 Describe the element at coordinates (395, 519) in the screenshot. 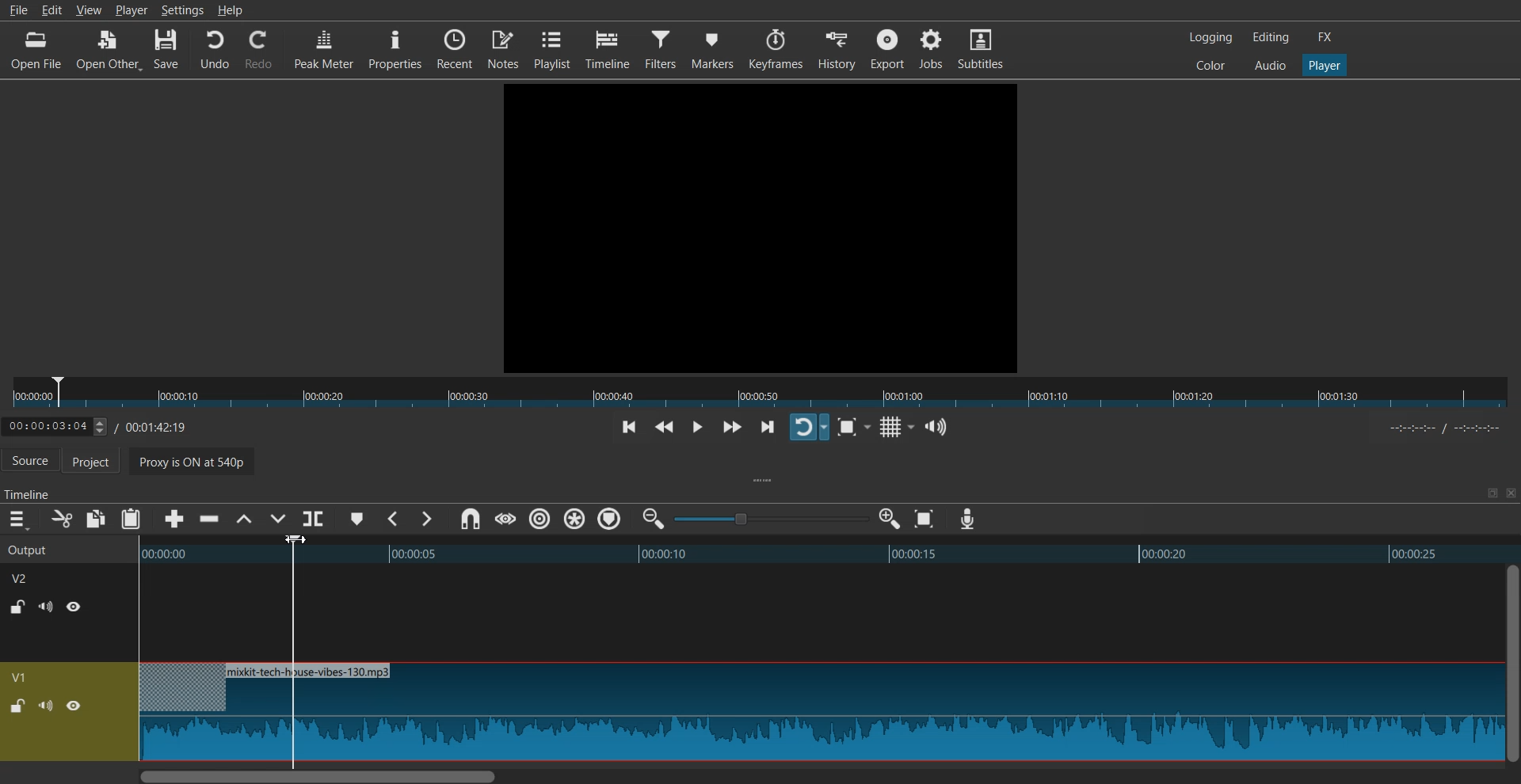

I see `Previous Marker` at that location.